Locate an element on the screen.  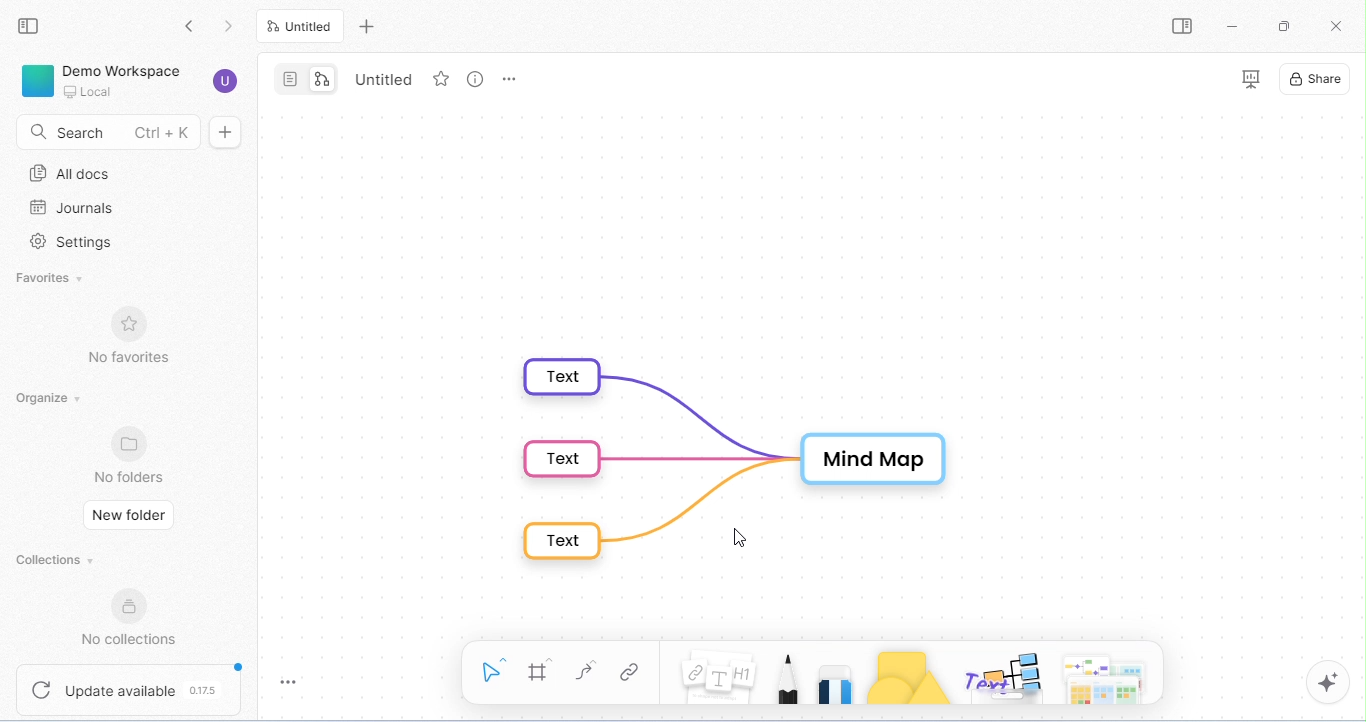
go back is located at coordinates (192, 27).